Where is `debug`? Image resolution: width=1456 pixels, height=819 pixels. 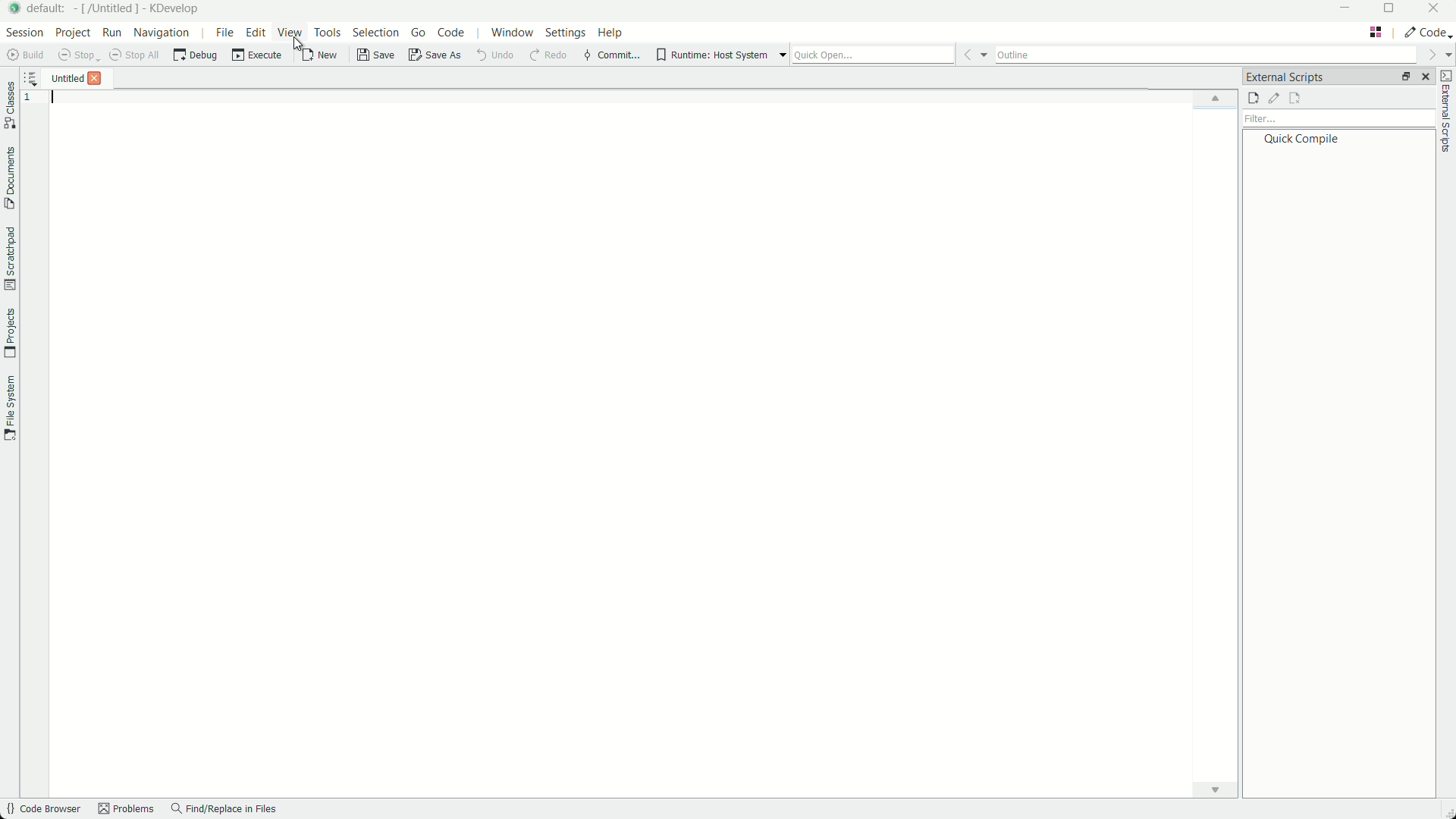
debug is located at coordinates (193, 58).